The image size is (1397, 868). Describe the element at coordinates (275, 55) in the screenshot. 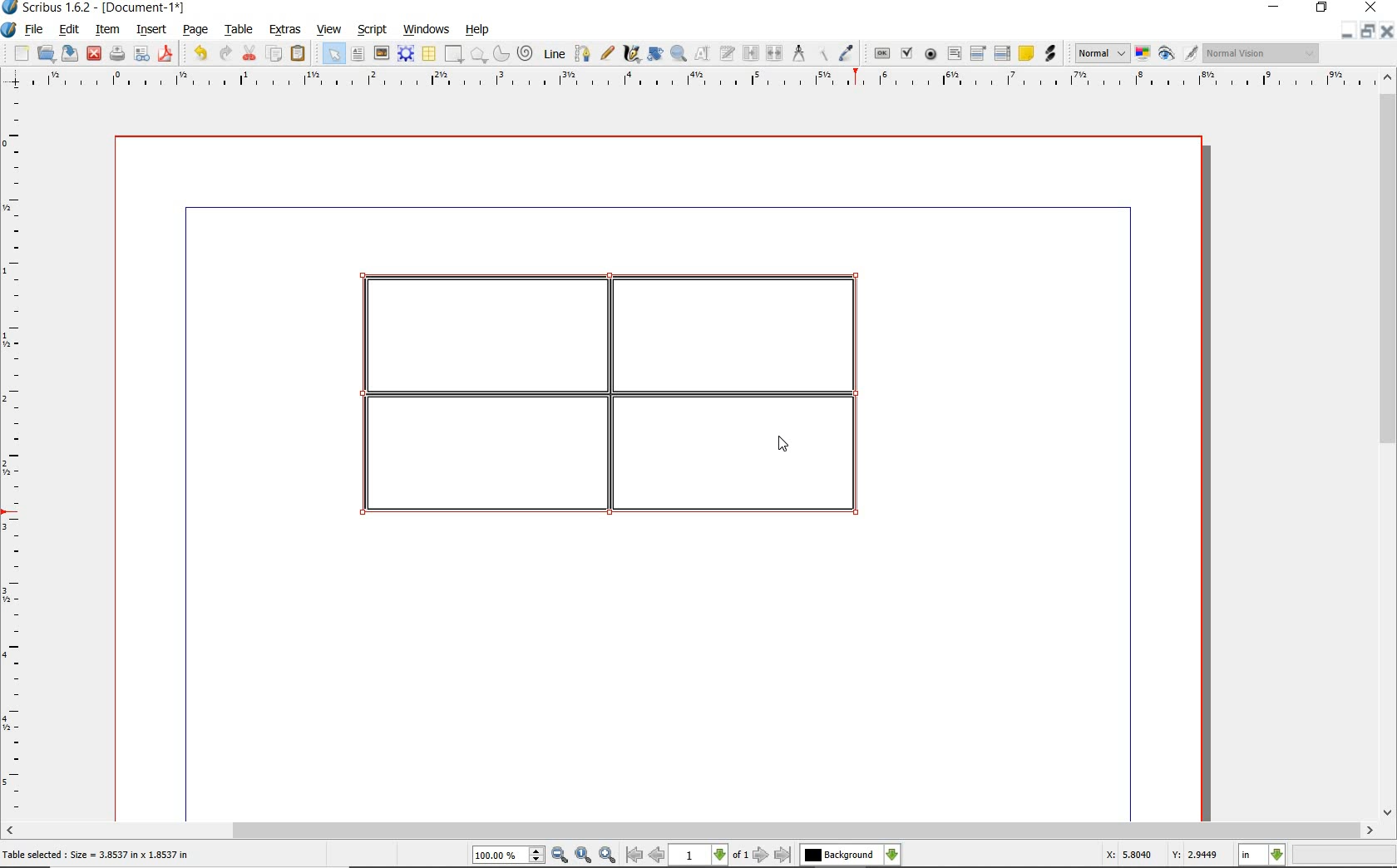

I see `copy` at that location.